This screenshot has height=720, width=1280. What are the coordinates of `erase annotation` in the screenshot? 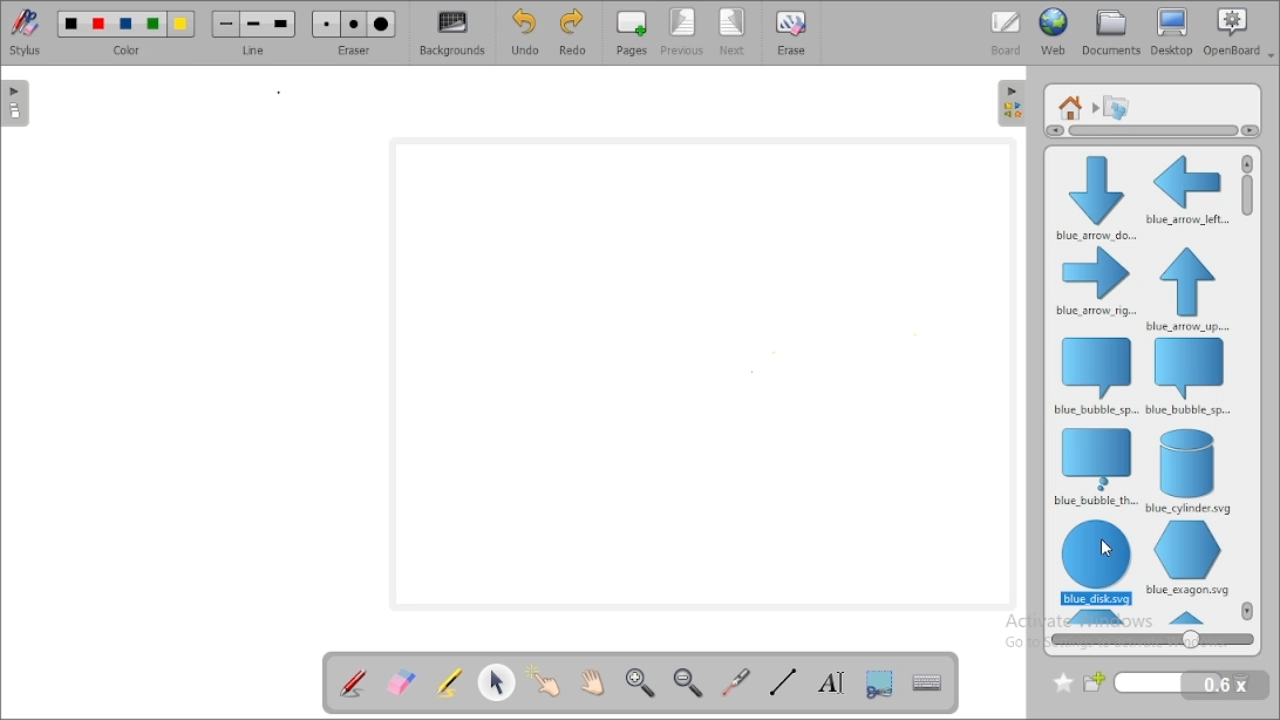 It's located at (402, 681).